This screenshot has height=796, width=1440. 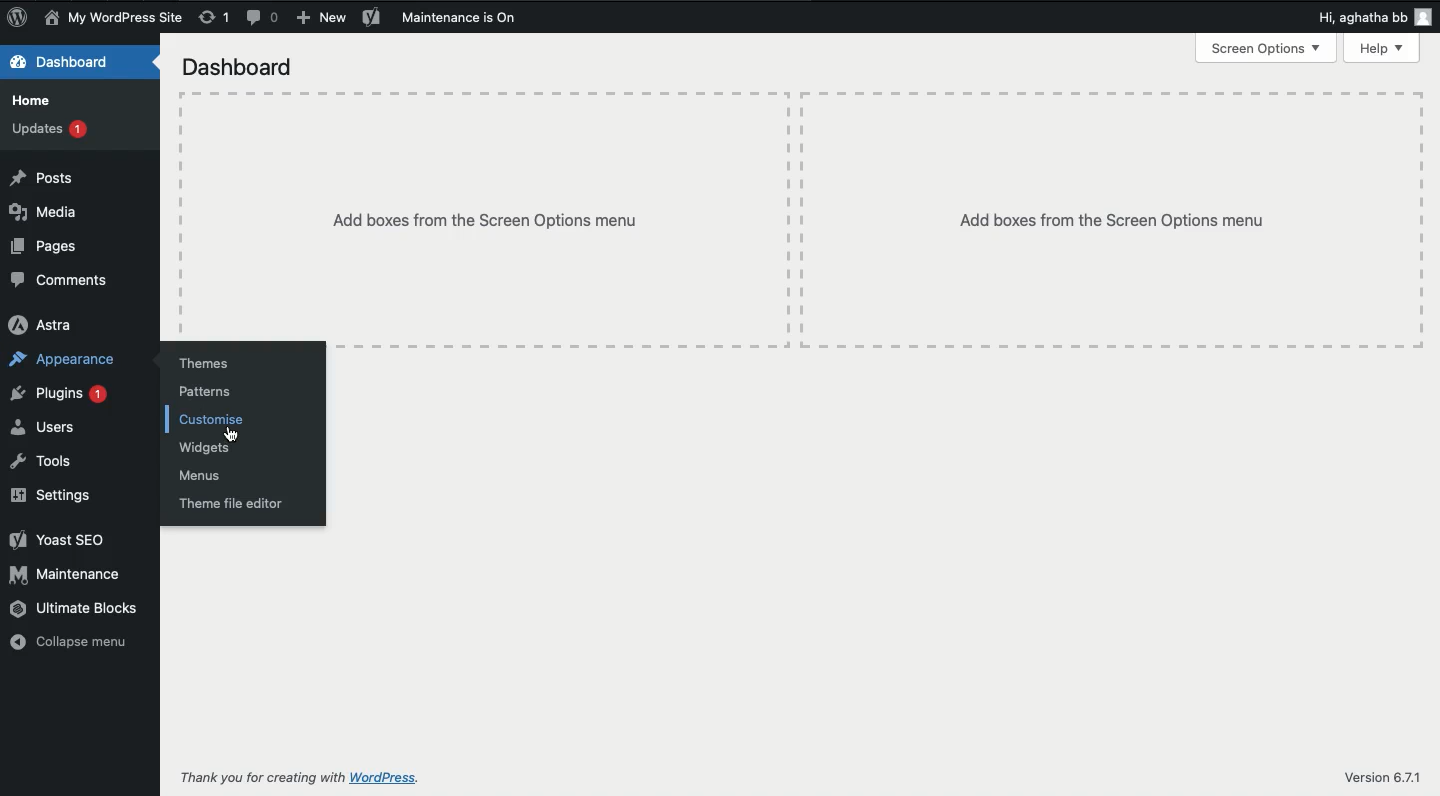 I want to click on Menus, so click(x=202, y=475).